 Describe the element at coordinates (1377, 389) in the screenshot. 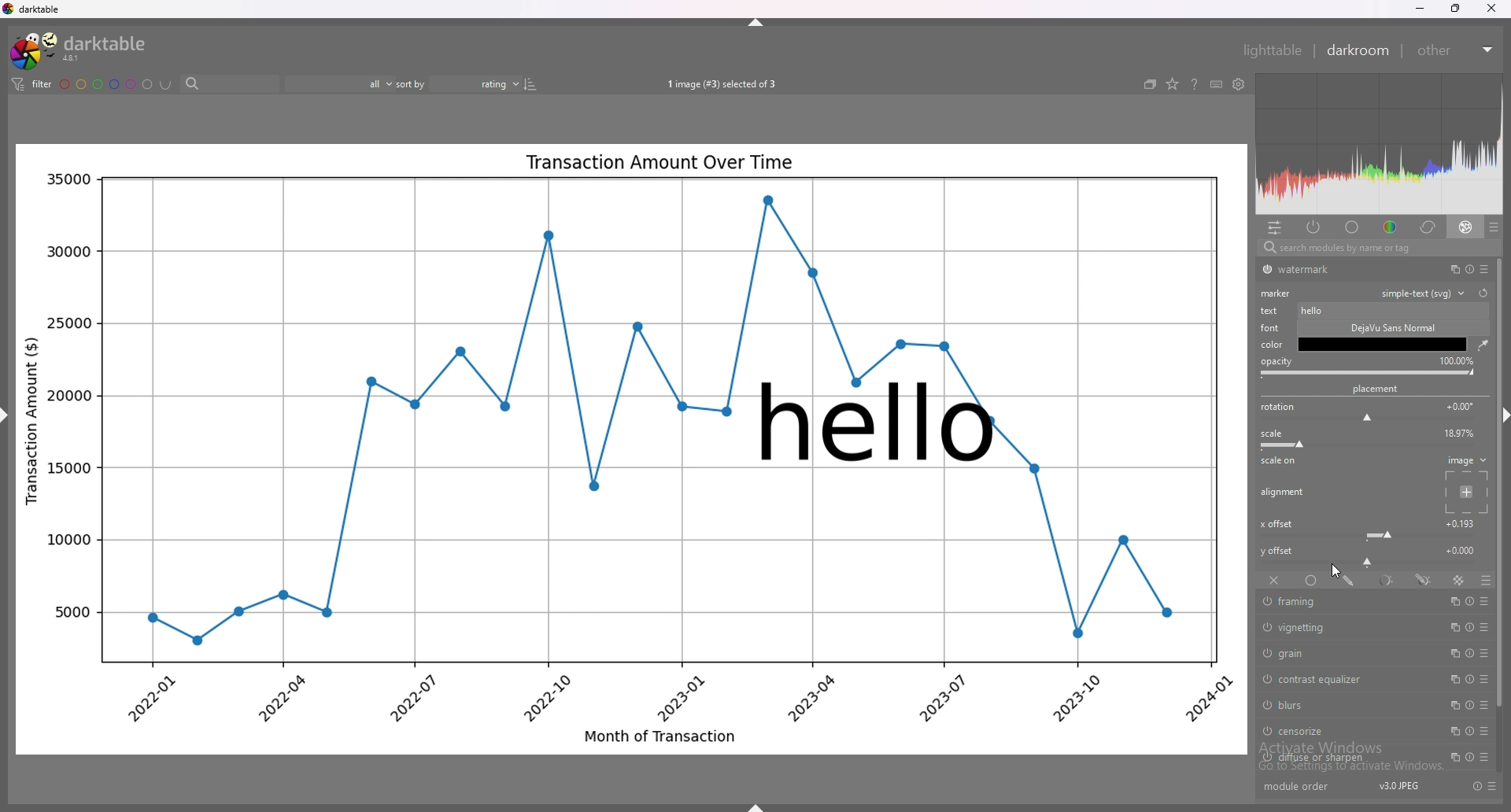

I see `placement` at that location.